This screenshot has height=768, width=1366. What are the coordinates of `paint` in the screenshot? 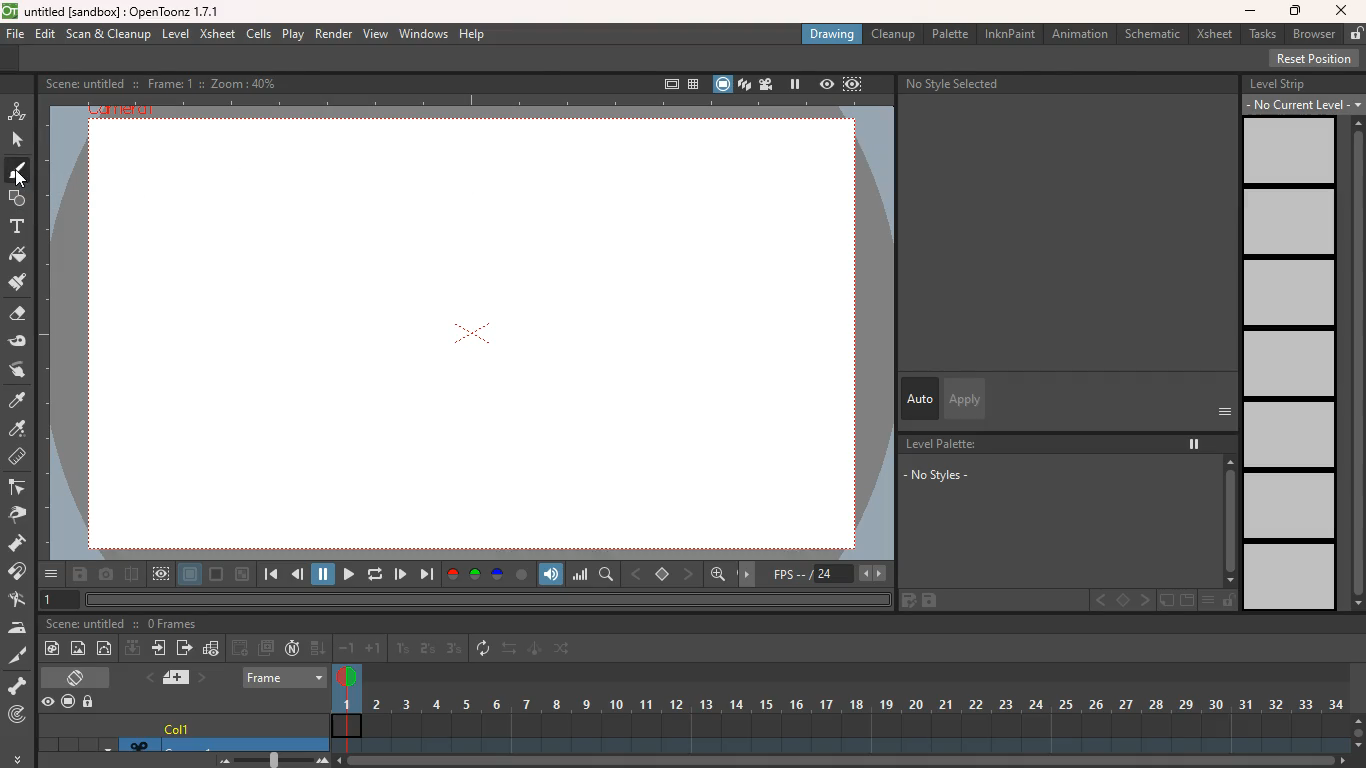 It's located at (55, 648).